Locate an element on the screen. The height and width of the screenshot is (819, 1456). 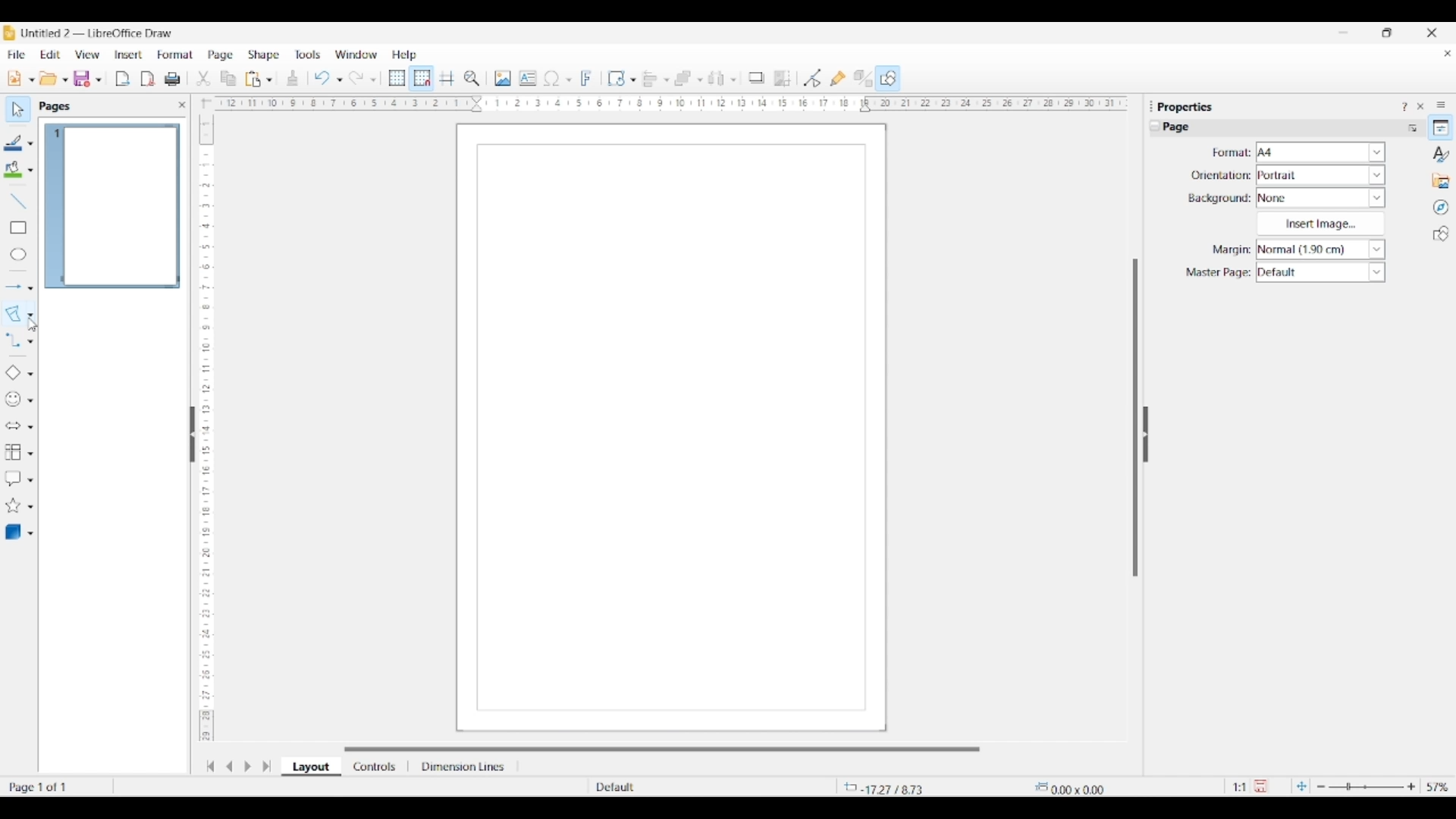
Horizontal slide bar is located at coordinates (662, 749).